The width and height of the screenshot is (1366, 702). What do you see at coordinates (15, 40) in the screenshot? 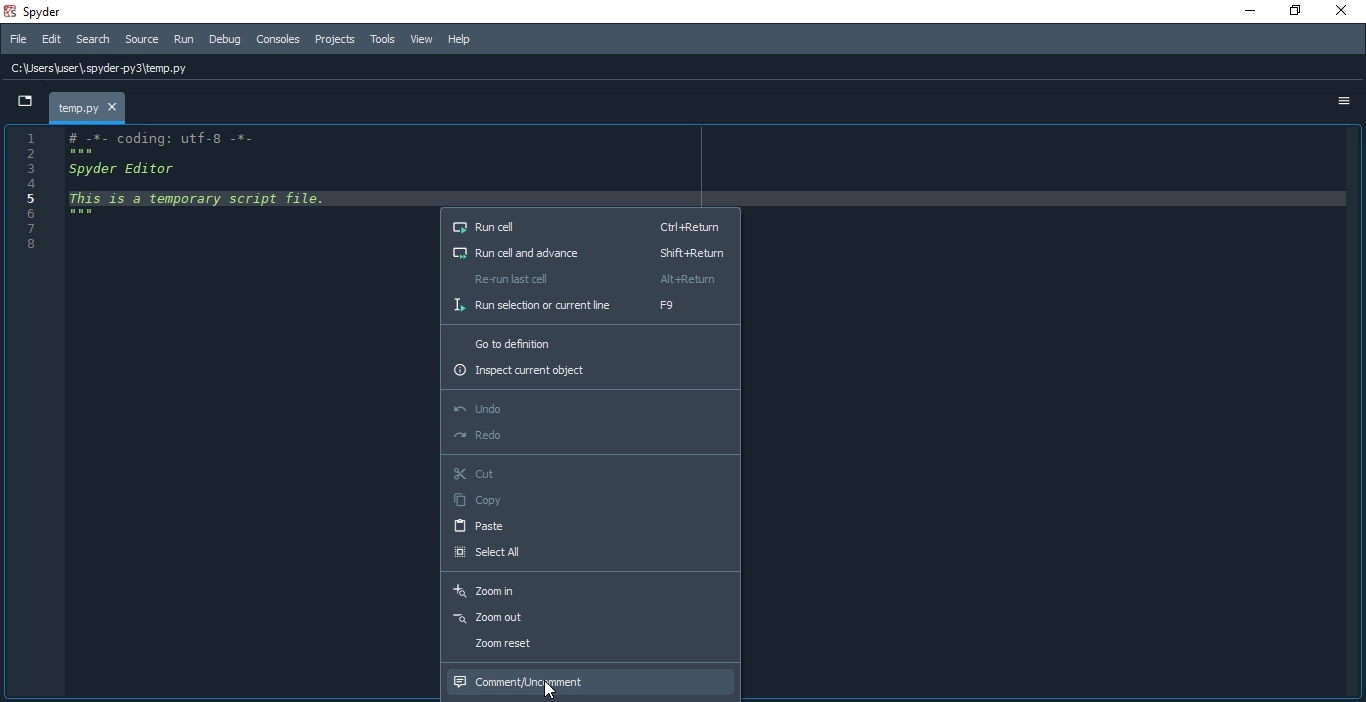
I see `File ` at bounding box center [15, 40].